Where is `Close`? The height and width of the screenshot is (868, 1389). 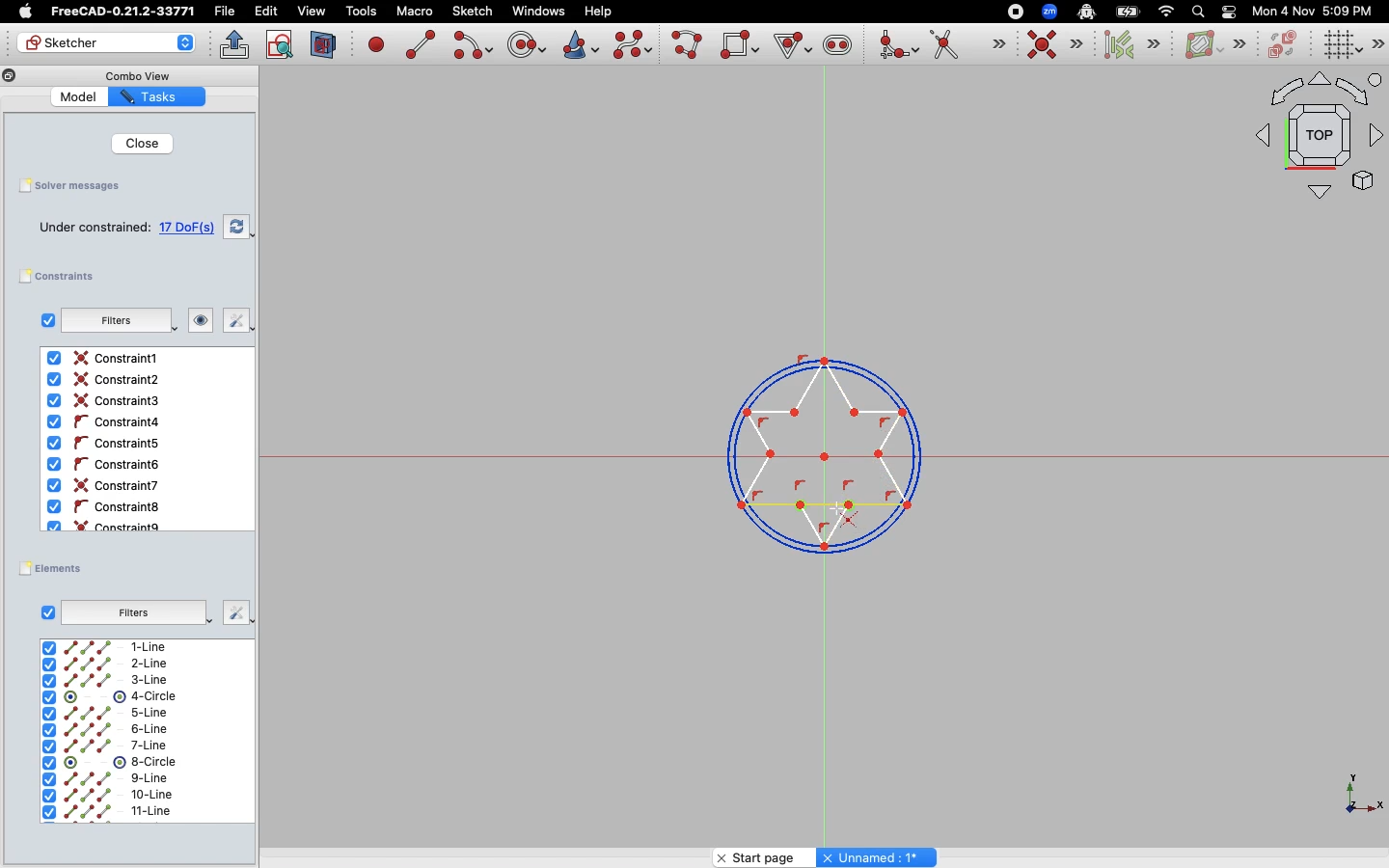
Close is located at coordinates (135, 143).